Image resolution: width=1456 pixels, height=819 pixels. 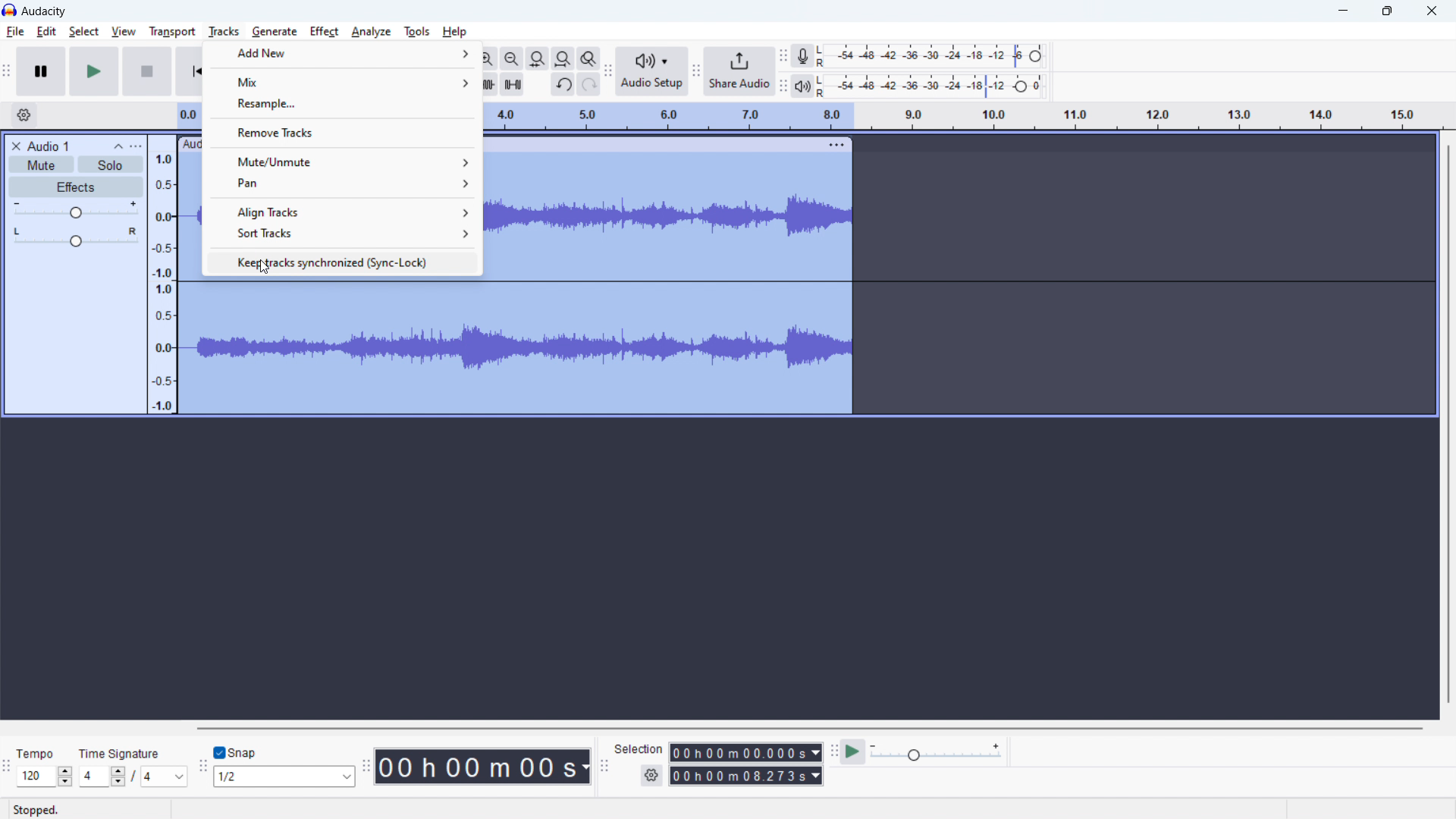 I want to click on title, so click(x=44, y=11).